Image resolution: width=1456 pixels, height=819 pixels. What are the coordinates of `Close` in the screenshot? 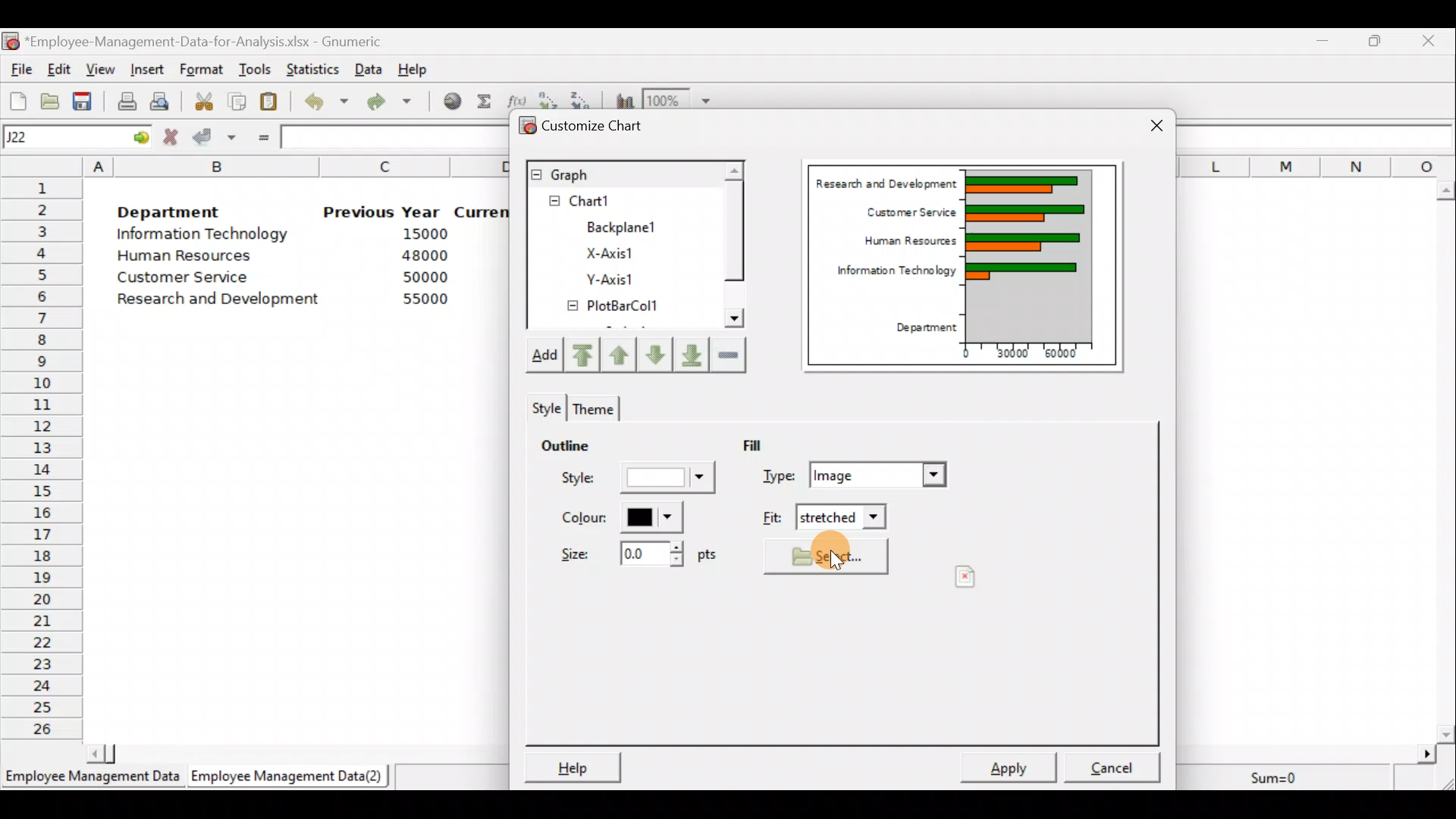 It's located at (1432, 40).